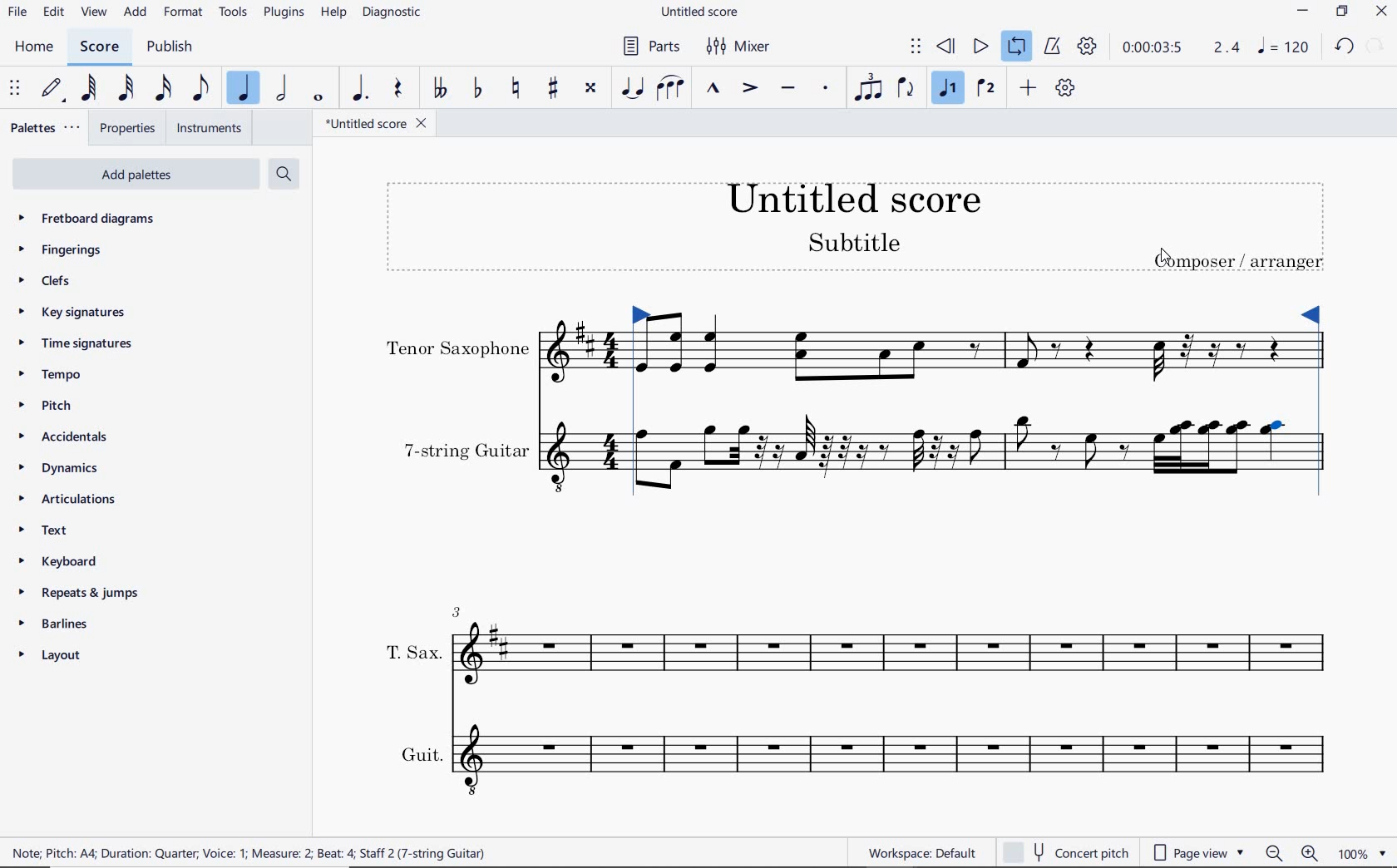 The width and height of the screenshot is (1397, 868). I want to click on UNDO, so click(1345, 48).